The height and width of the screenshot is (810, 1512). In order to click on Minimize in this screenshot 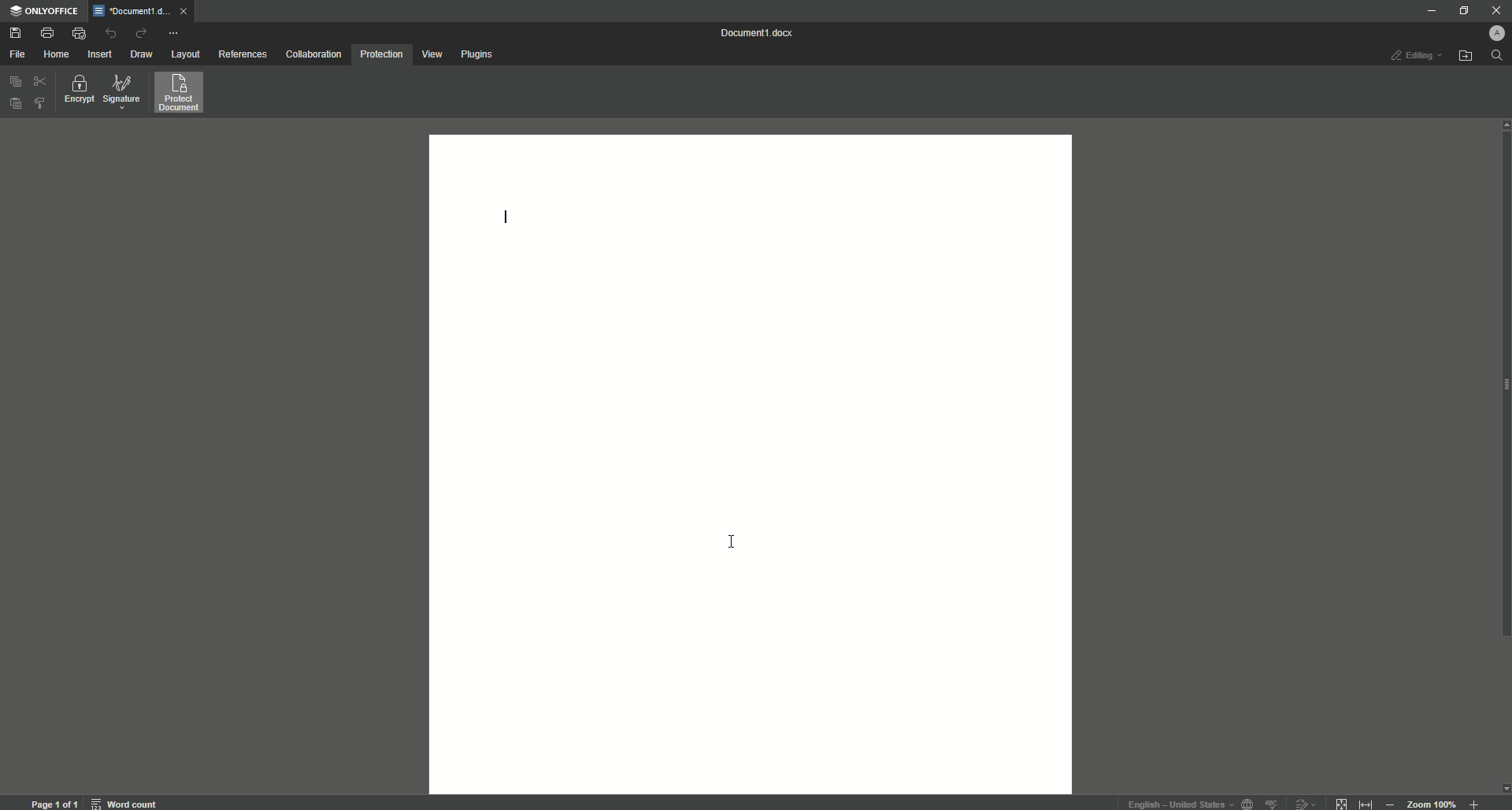, I will do `click(1429, 12)`.